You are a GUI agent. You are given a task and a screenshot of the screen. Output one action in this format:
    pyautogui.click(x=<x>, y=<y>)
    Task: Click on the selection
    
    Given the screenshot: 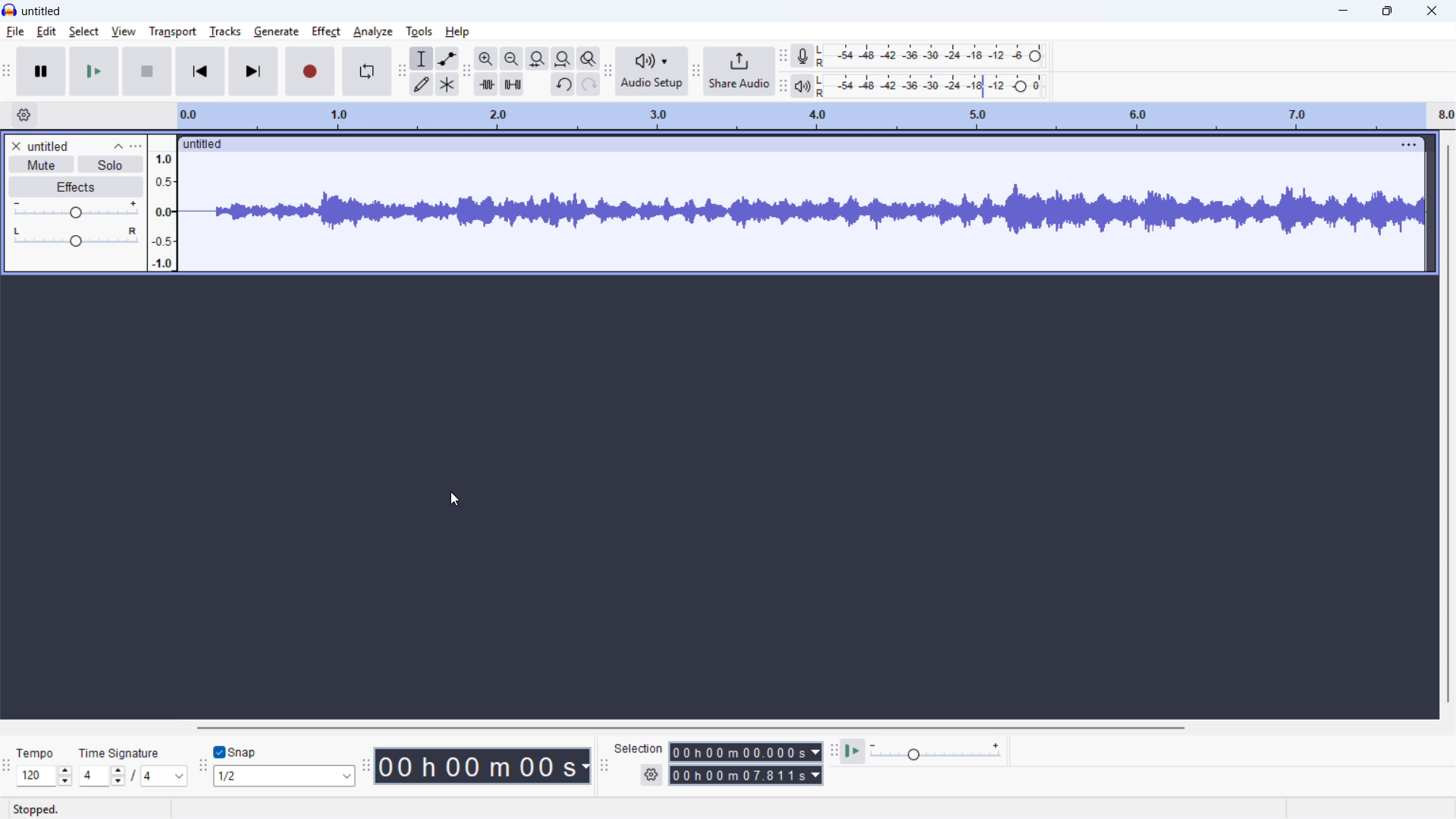 What is the action you would take?
    pyautogui.click(x=639, y=748)
    